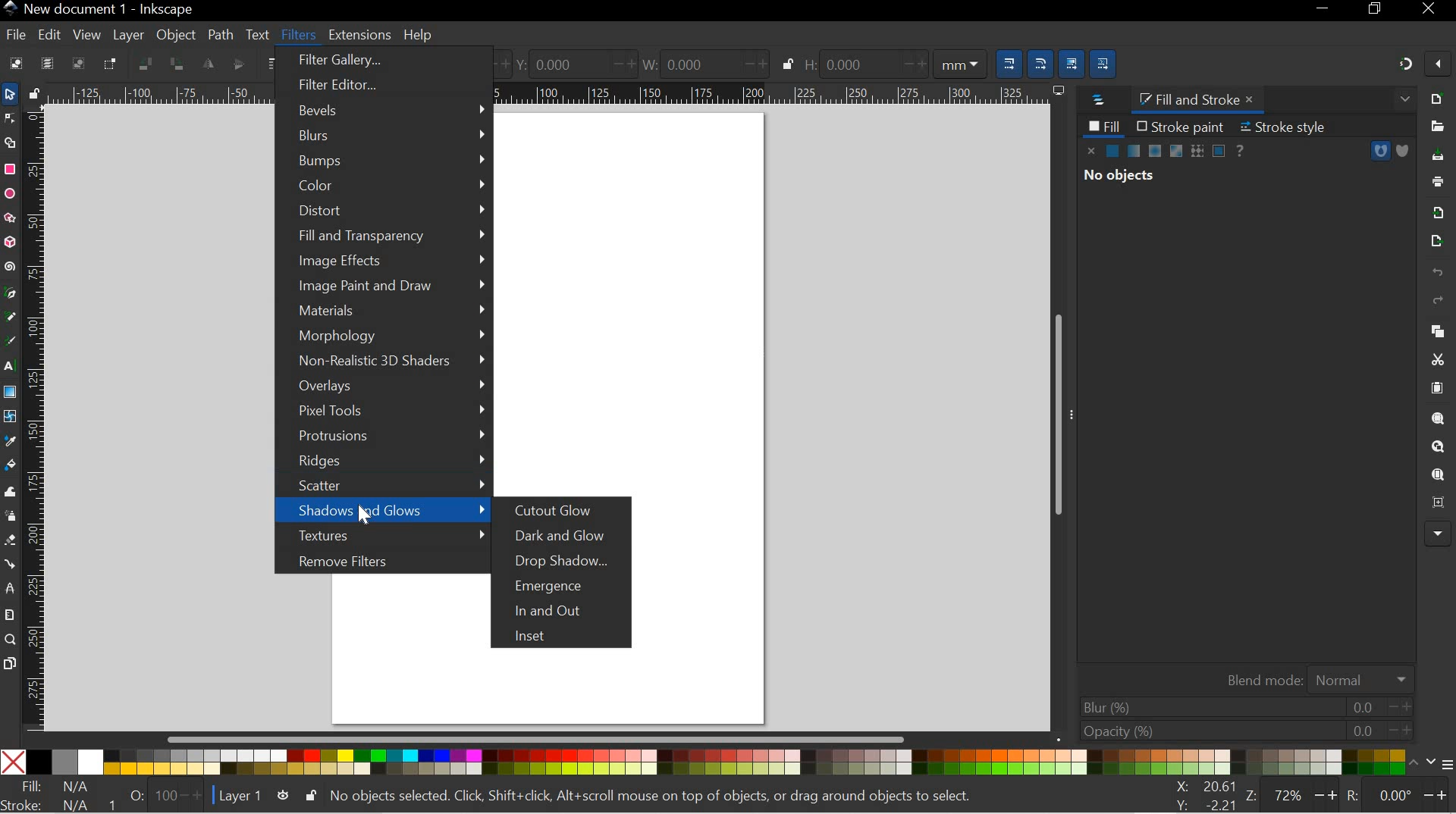 The width and height of the screenshot is (1456, 814). I want to click on HEIGHT, so click(893, 62).